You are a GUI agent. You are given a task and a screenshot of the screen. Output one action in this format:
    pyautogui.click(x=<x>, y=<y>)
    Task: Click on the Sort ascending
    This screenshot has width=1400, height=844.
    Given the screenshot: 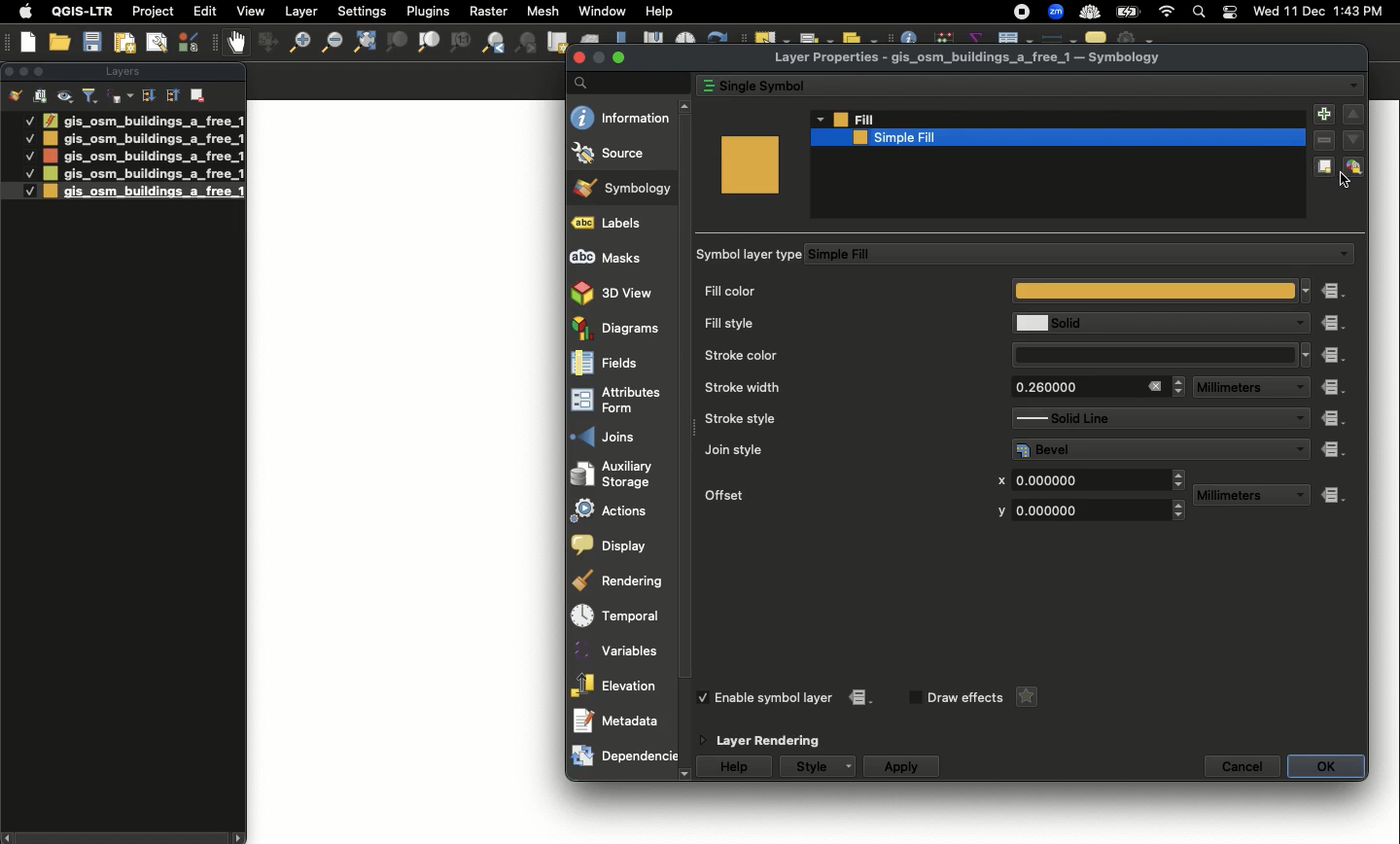 What is the action you would take?
    pyautogui.click(x=171, y=94)
    